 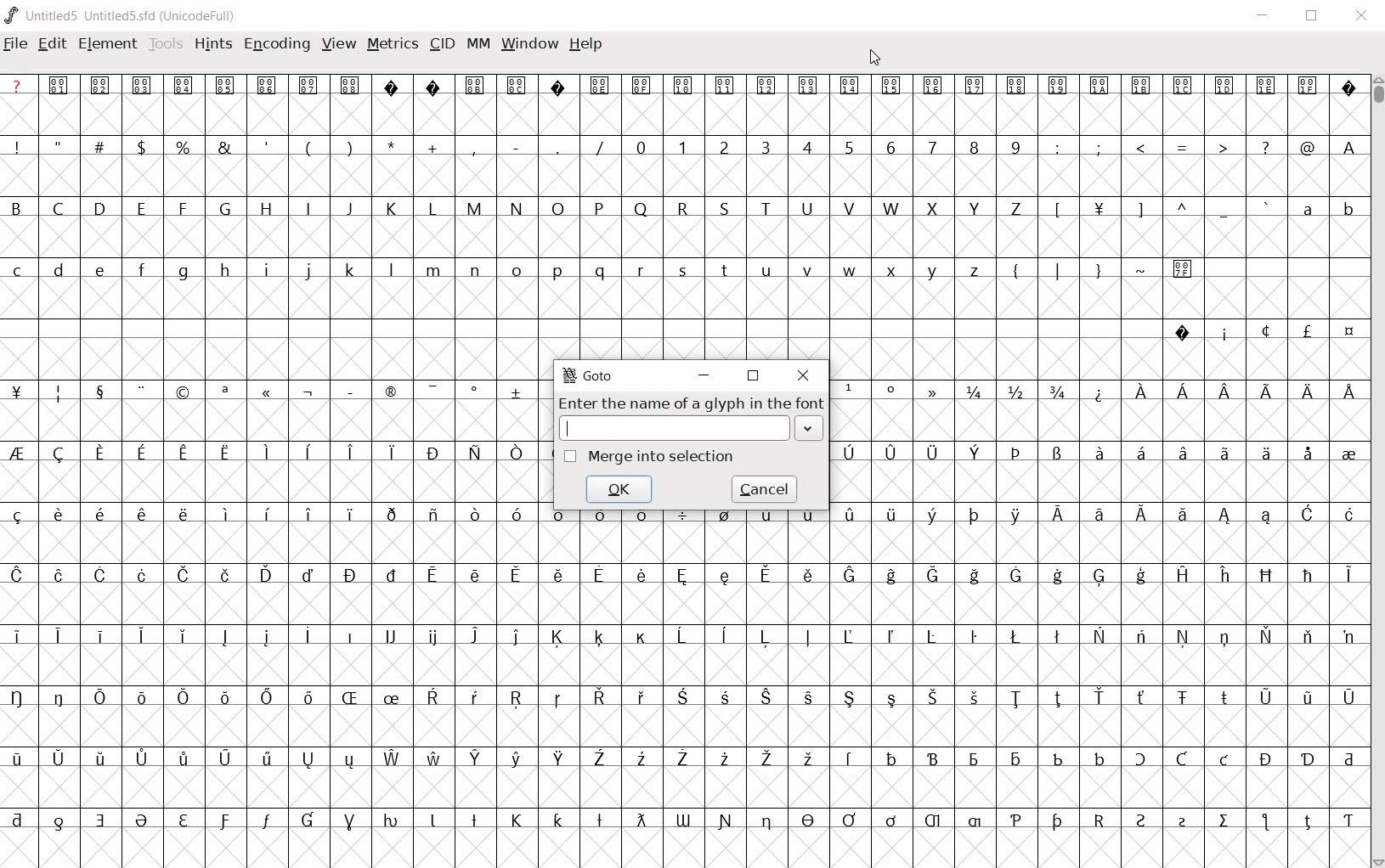 I want to click on , so click(x=181, y=514).